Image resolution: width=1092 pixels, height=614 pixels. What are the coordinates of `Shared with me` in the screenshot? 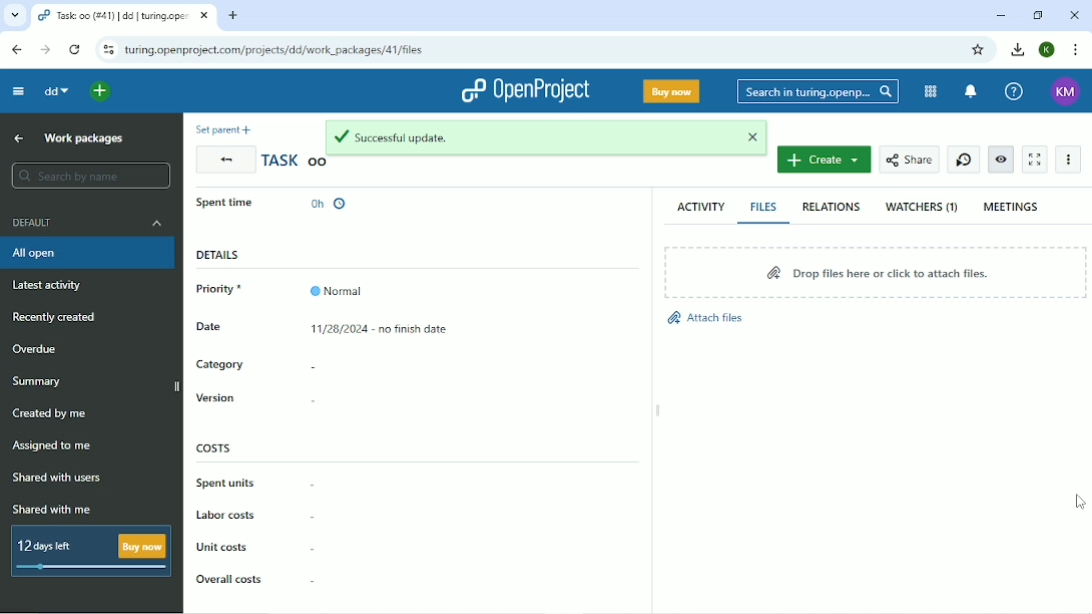 It's located at (53, 509).